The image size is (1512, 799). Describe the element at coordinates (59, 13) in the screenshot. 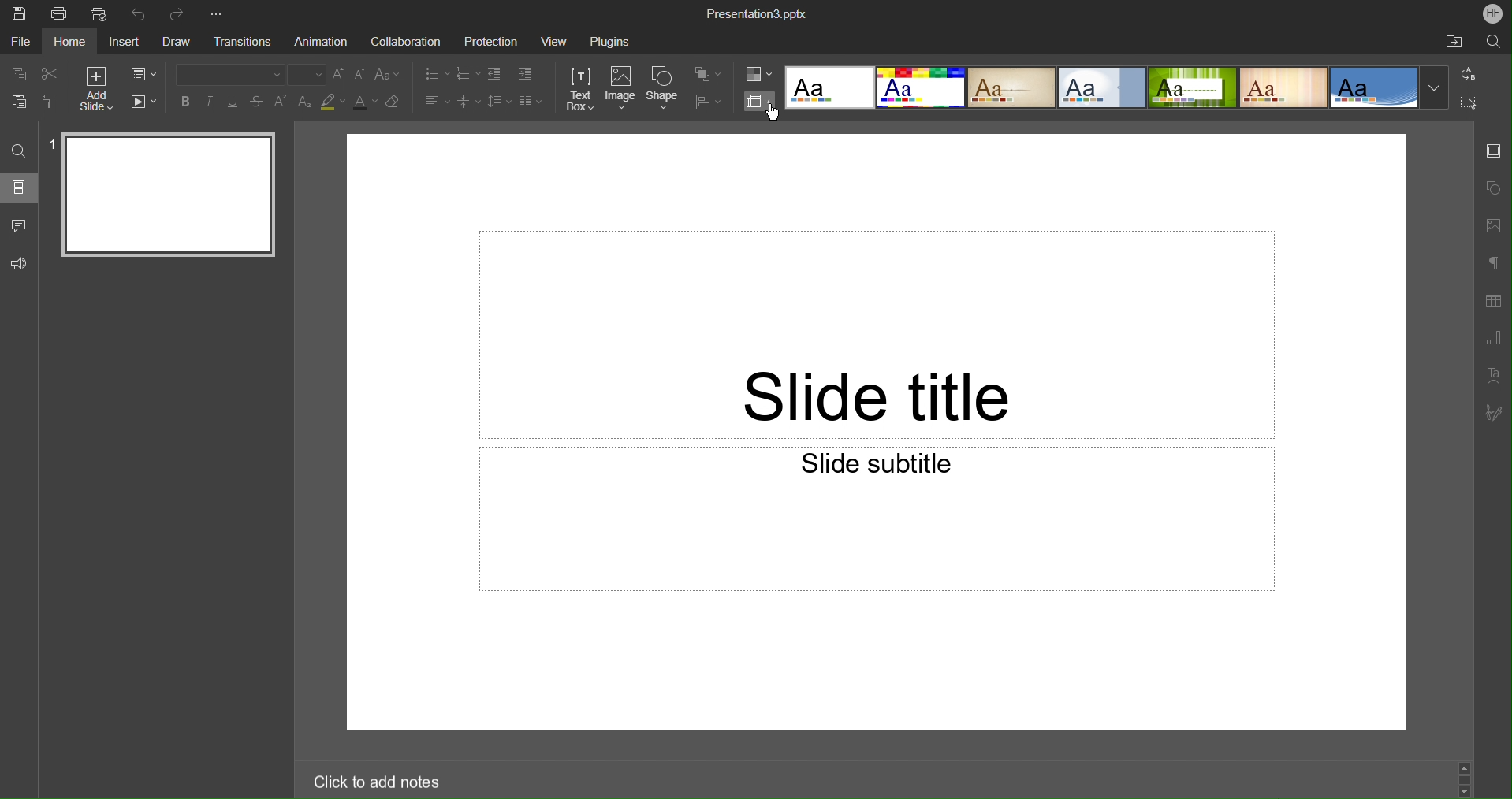

I see `Print` at that location.